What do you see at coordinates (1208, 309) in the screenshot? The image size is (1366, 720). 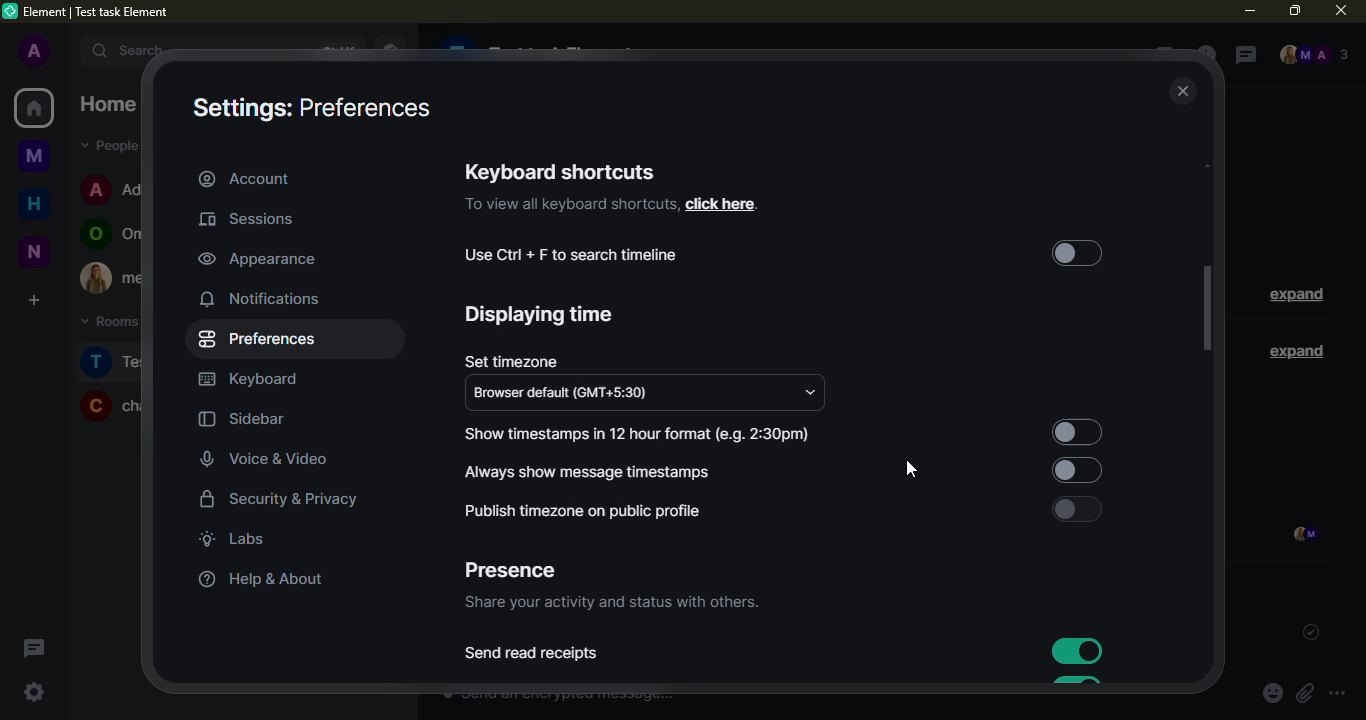 I see `scroll bar` at bounding box center [1208, 309].